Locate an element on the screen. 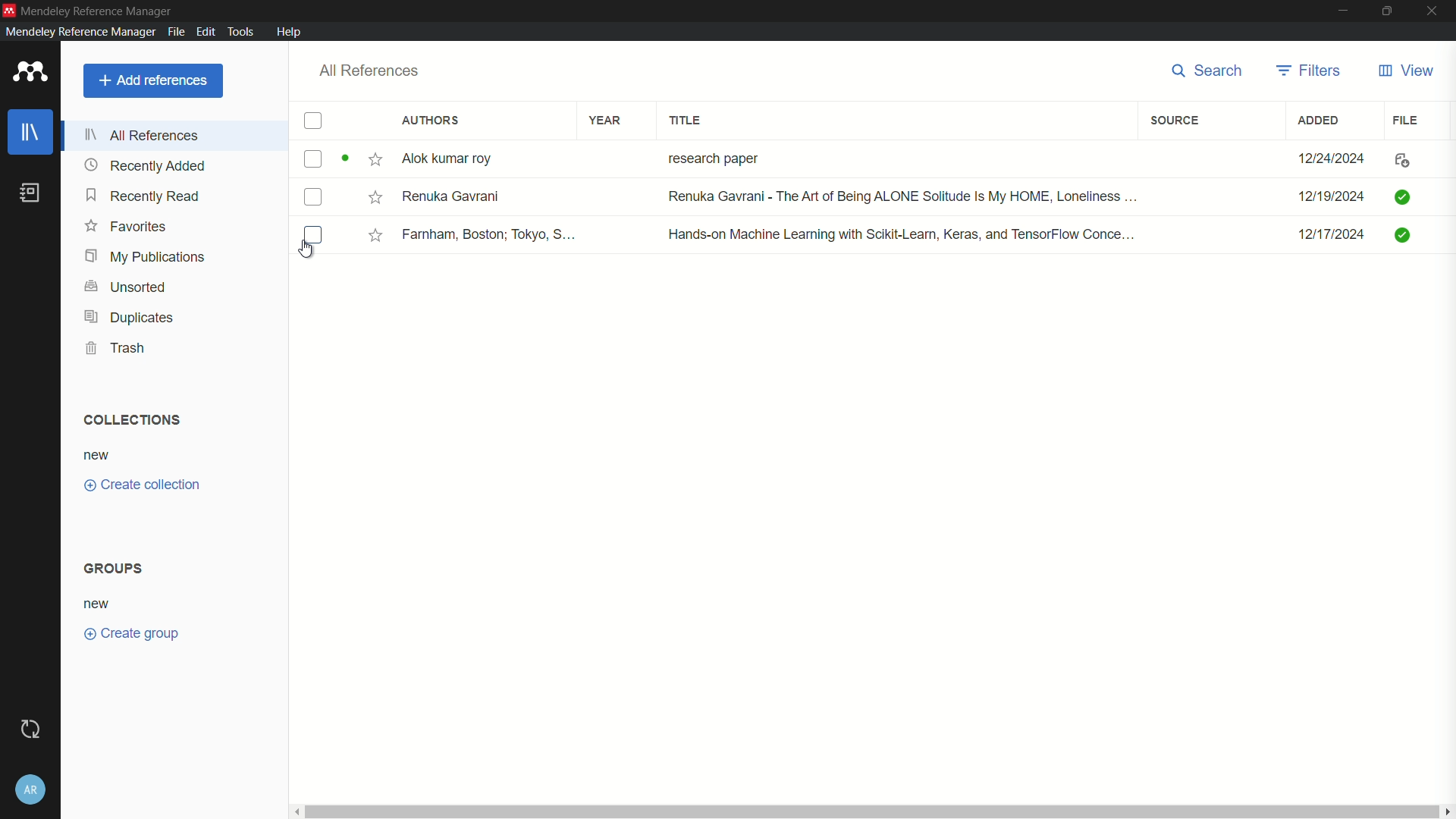 The image size is (1456, 819). authors is located at coordinates (428, 121).